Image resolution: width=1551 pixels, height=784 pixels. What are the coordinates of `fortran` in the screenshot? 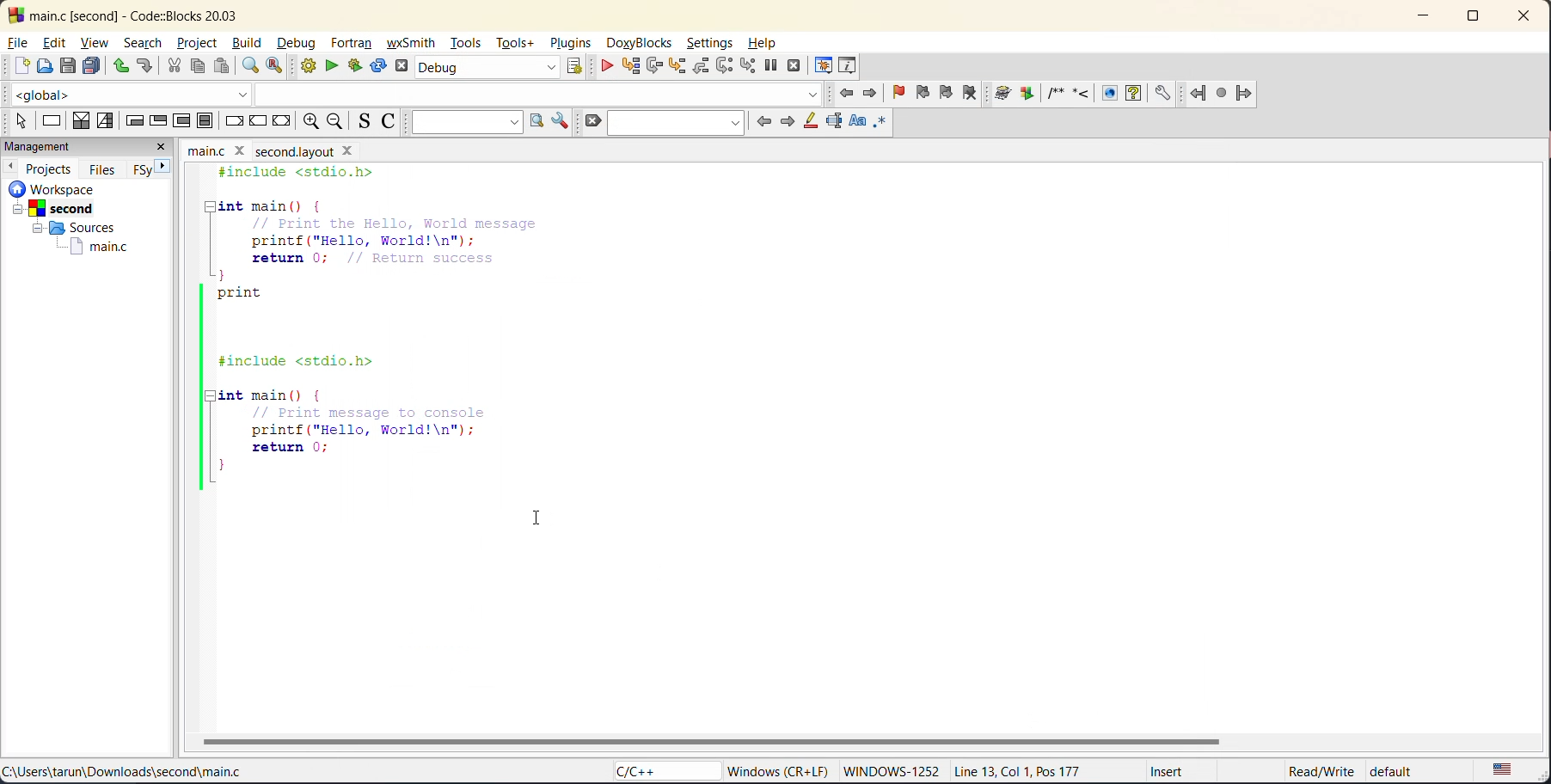 It's located at (354, 45).